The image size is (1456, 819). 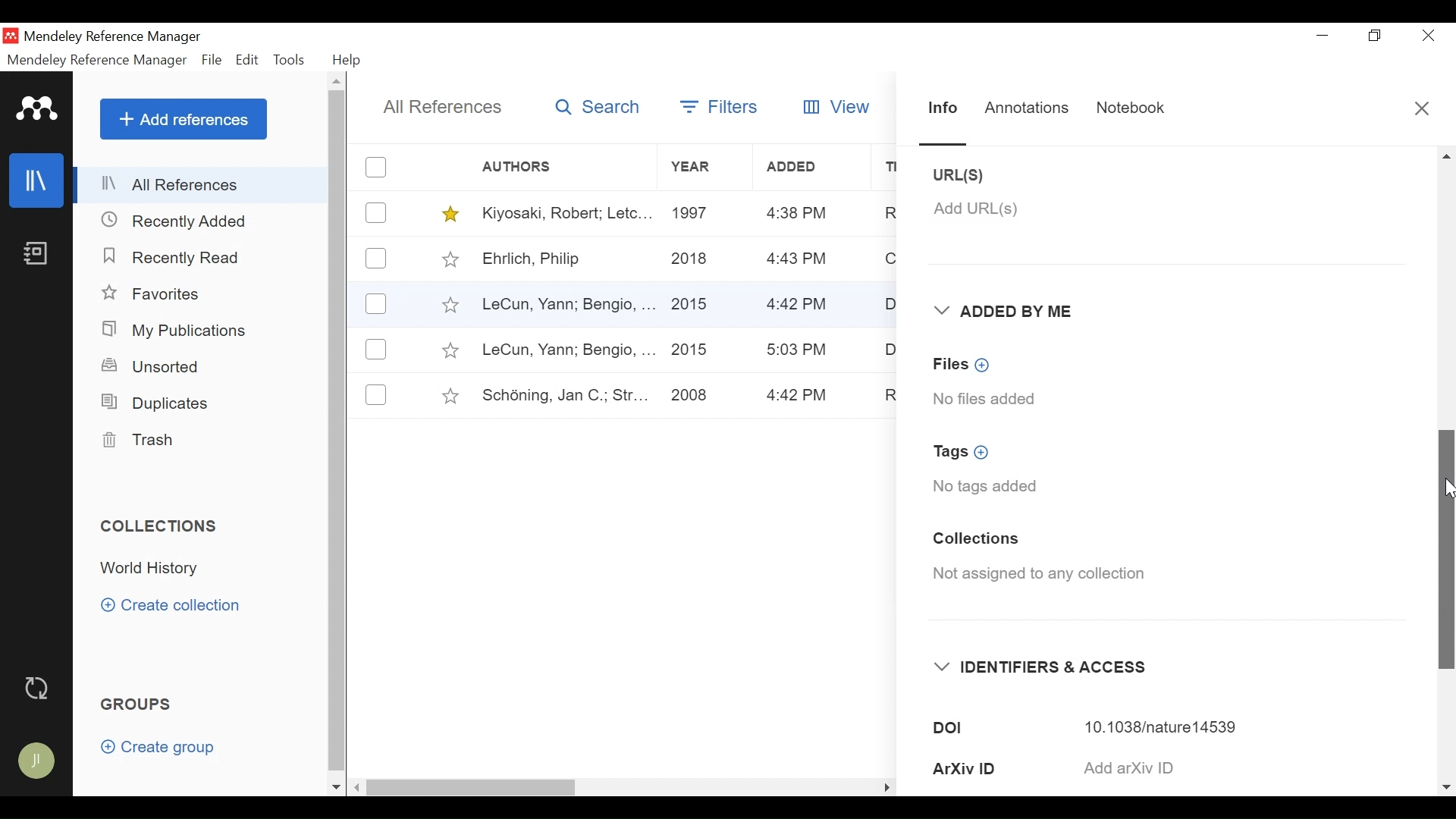 What do you see at coordinates (987, 398) in the screenshot?
I see `No files added` at bounding box center [987, 398].